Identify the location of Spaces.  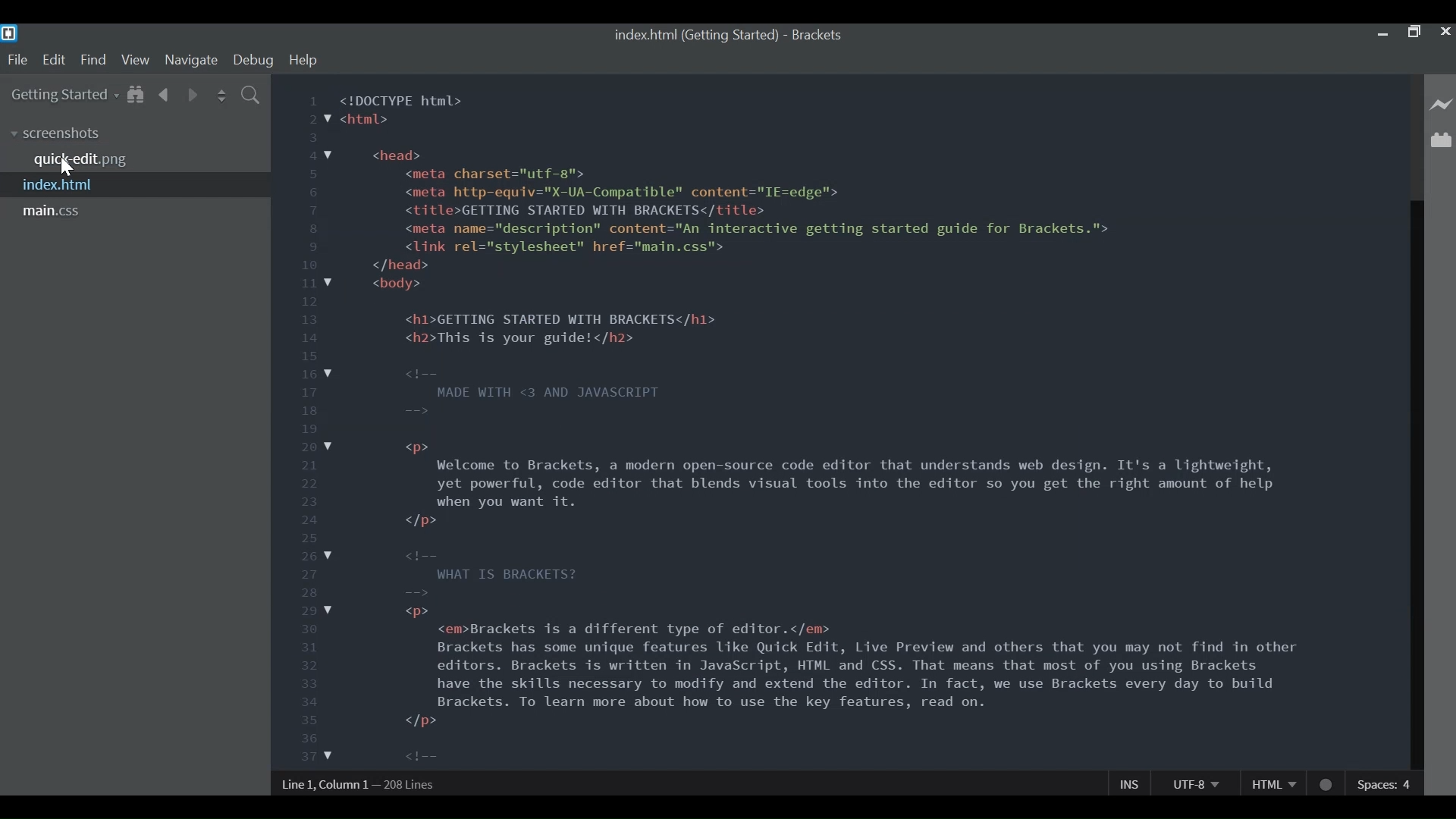
(1385, 785).